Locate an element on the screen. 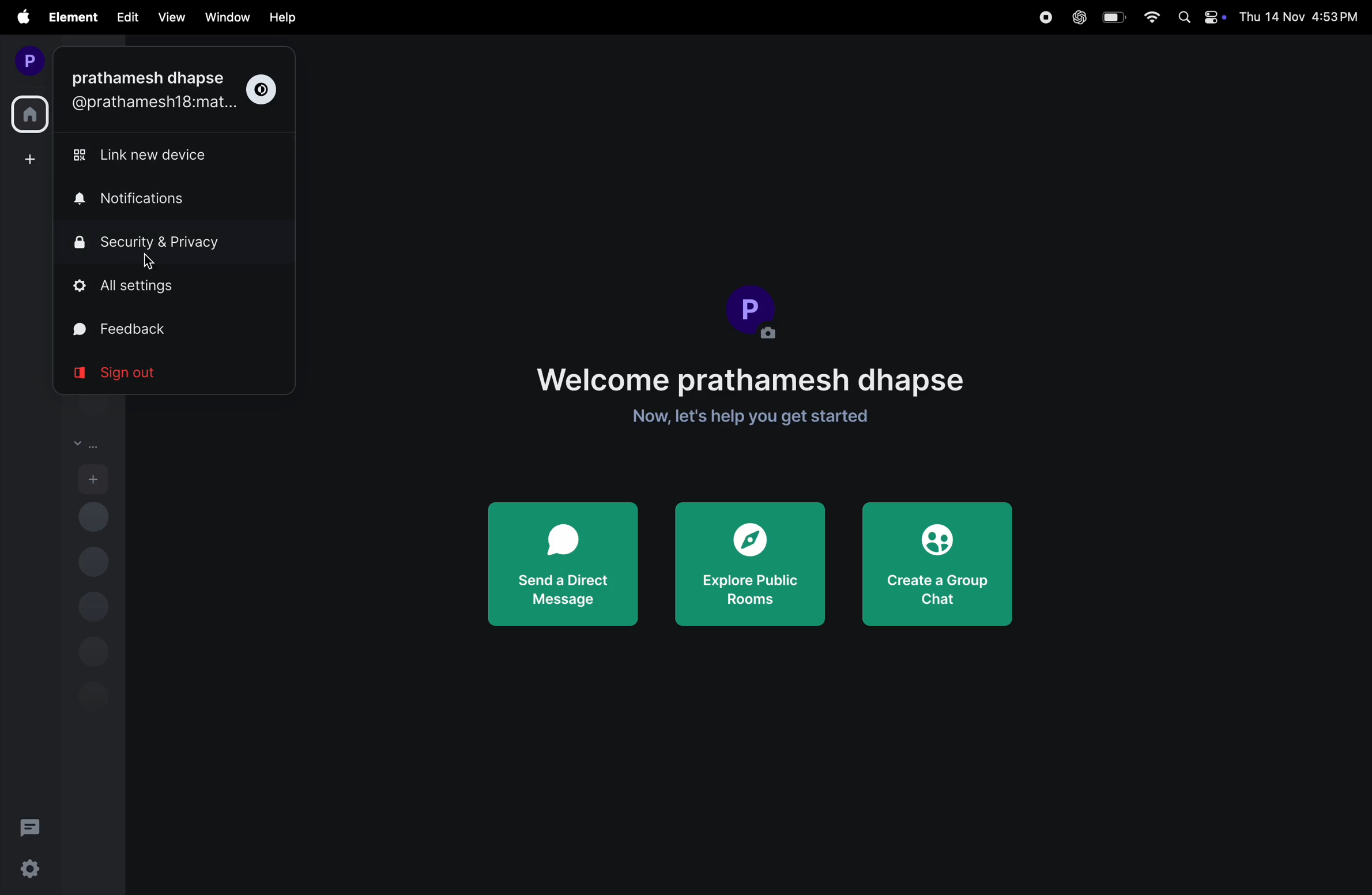 The image size is (1372, 895). view is located at coordinates (169, 18).